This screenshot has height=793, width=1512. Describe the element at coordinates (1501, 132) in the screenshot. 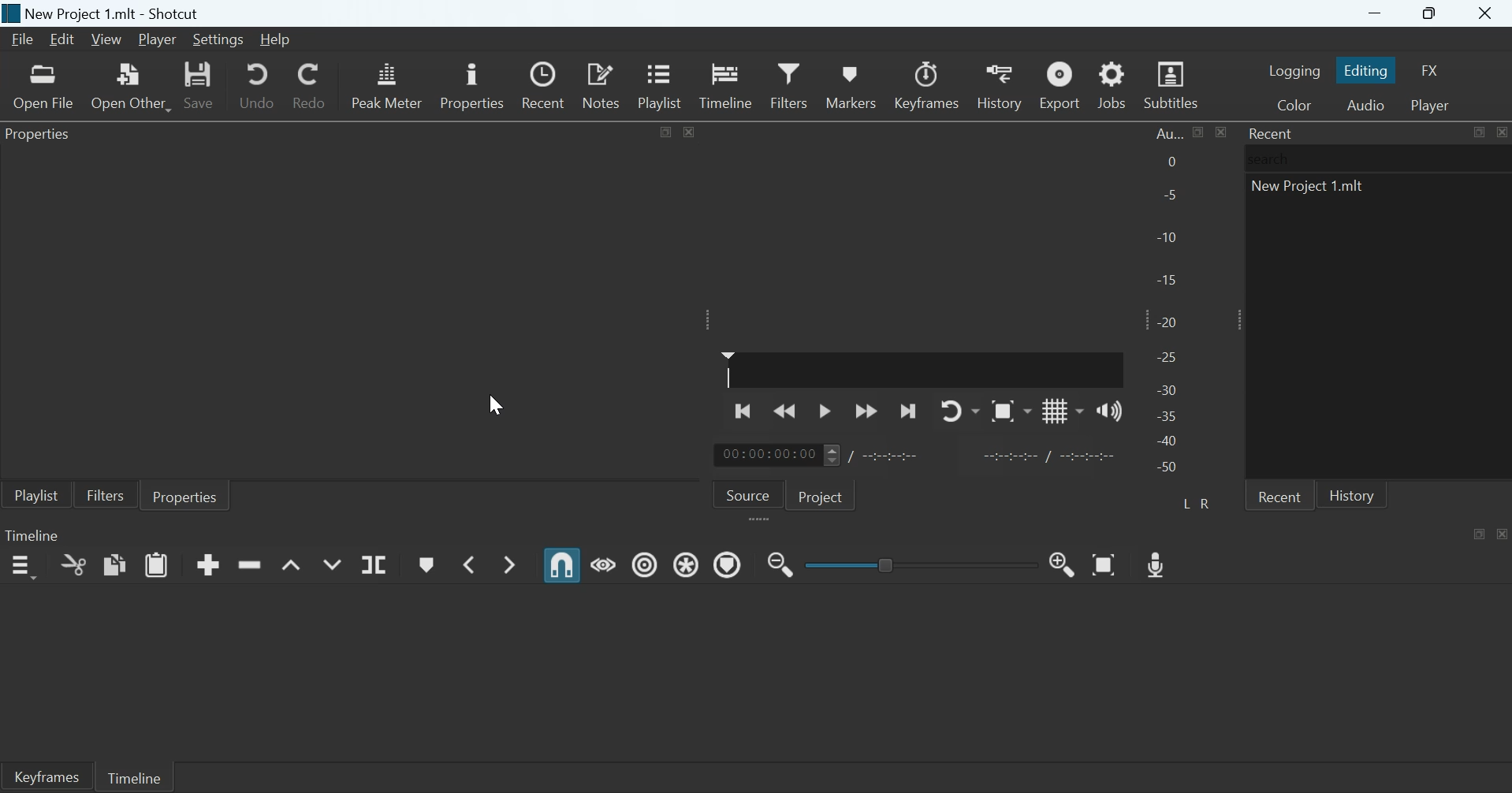

I see `Close` at that location.